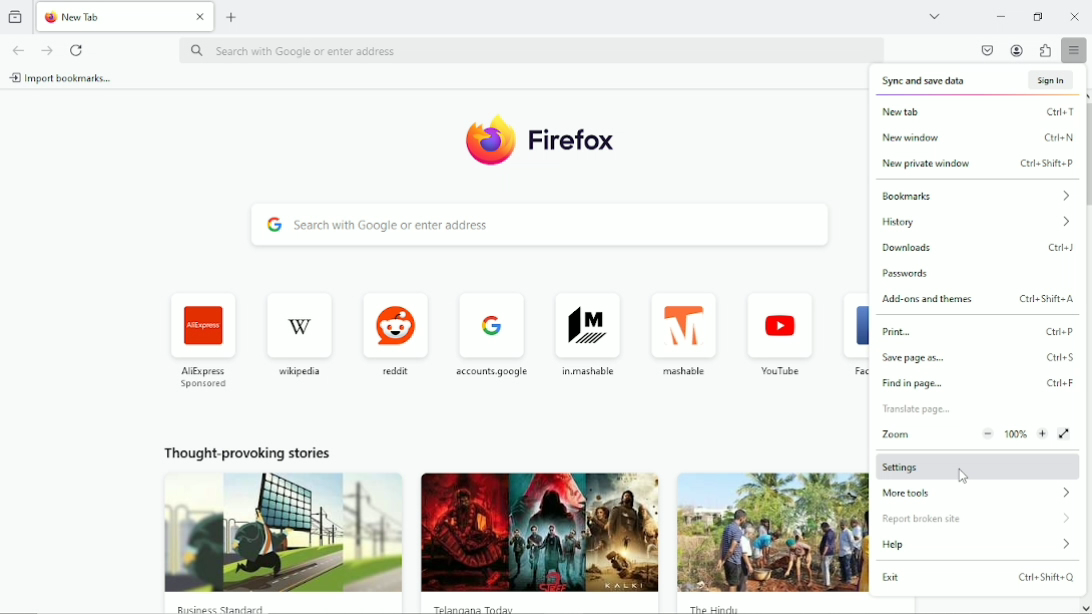  What do you see at coordinates (684, 335) in the screenshot?
I see `mashable` at bounding box center [684, 335].